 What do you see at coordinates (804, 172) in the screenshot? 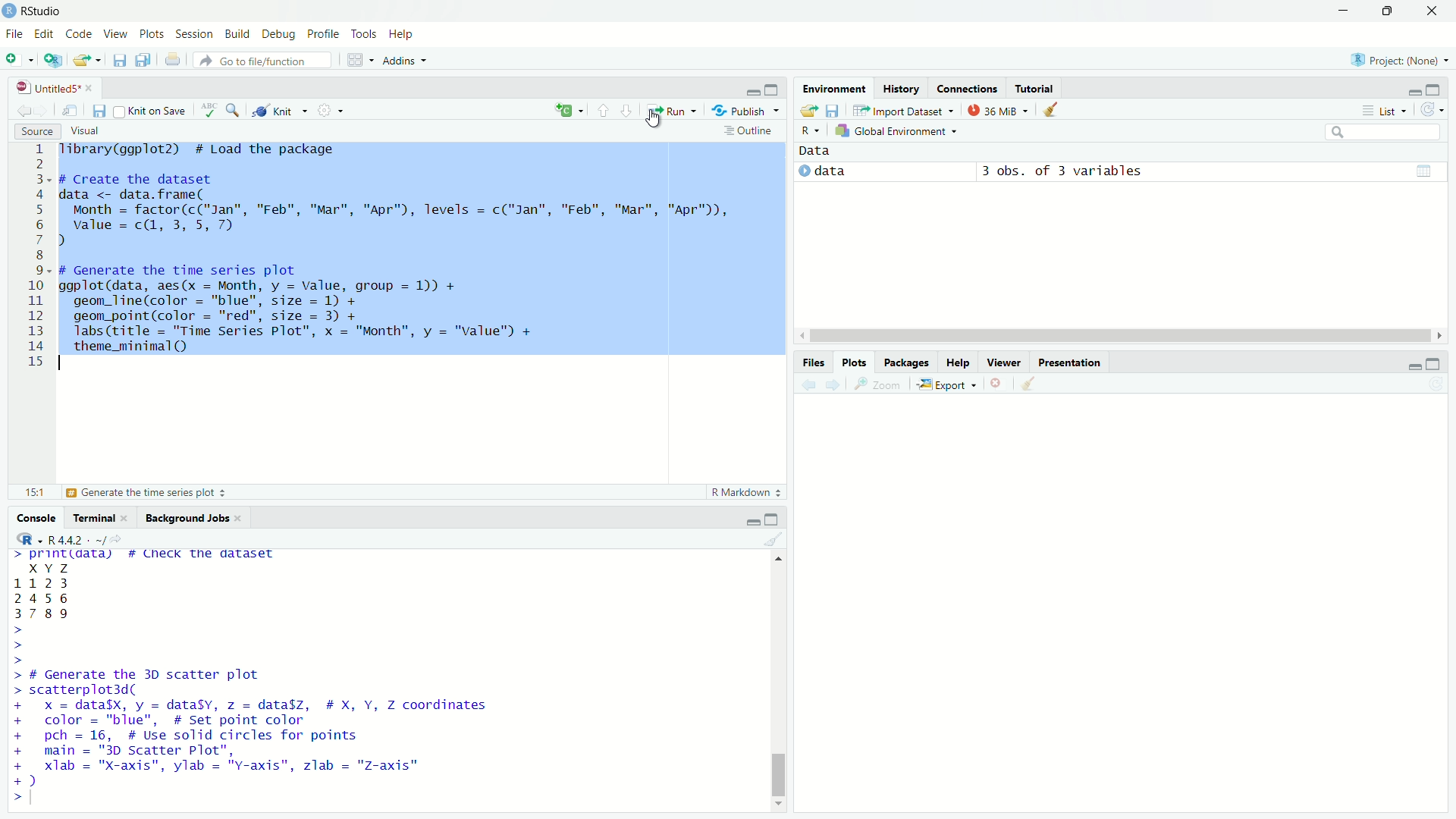
I see `play` at bounding box center [804, 172].